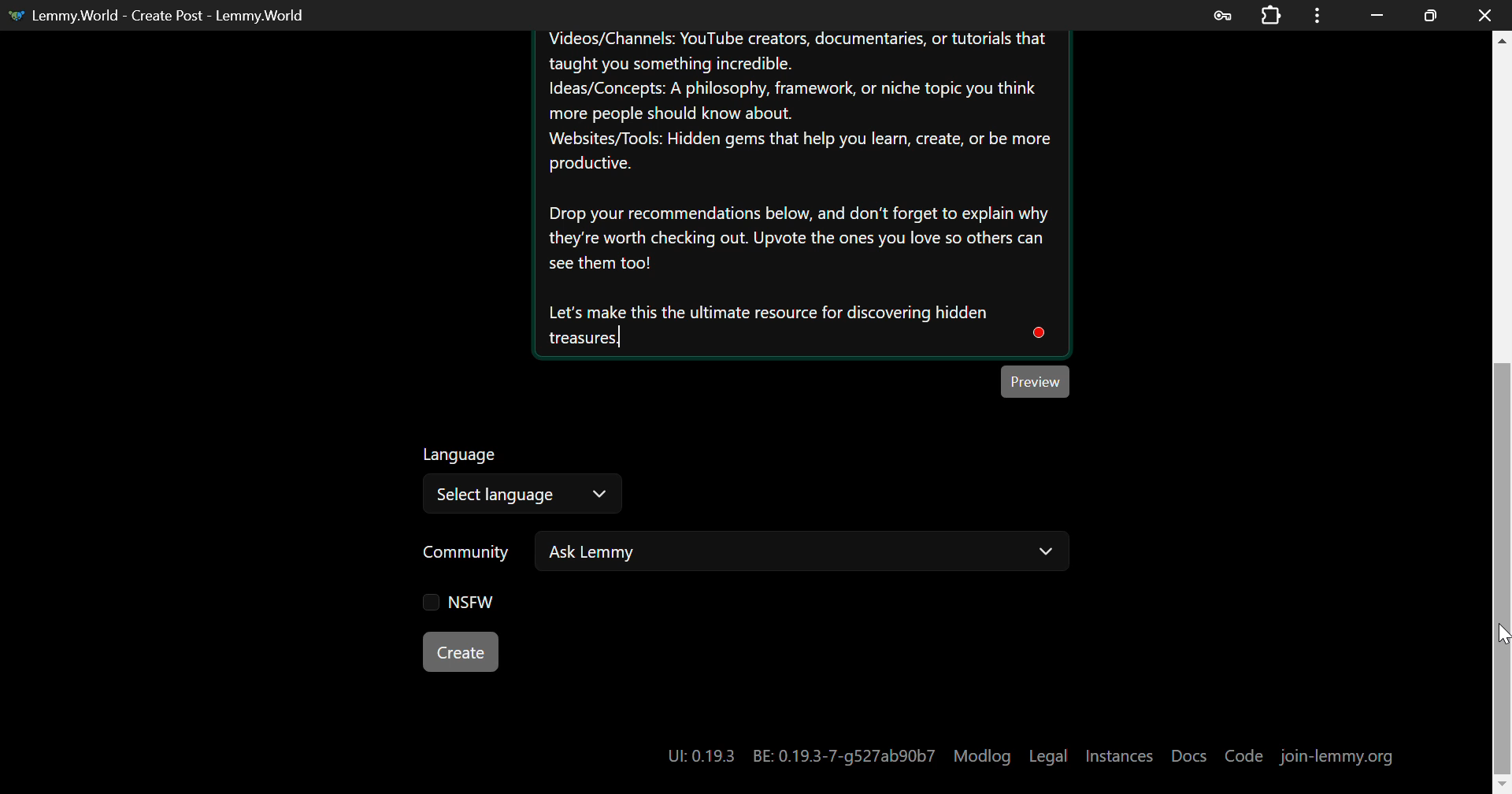 The width and height of the screenshot is (1512, 794). Describe the element at coordinates (1337, 758) in the screenshot. I see `join-lemmy.org` at that location.